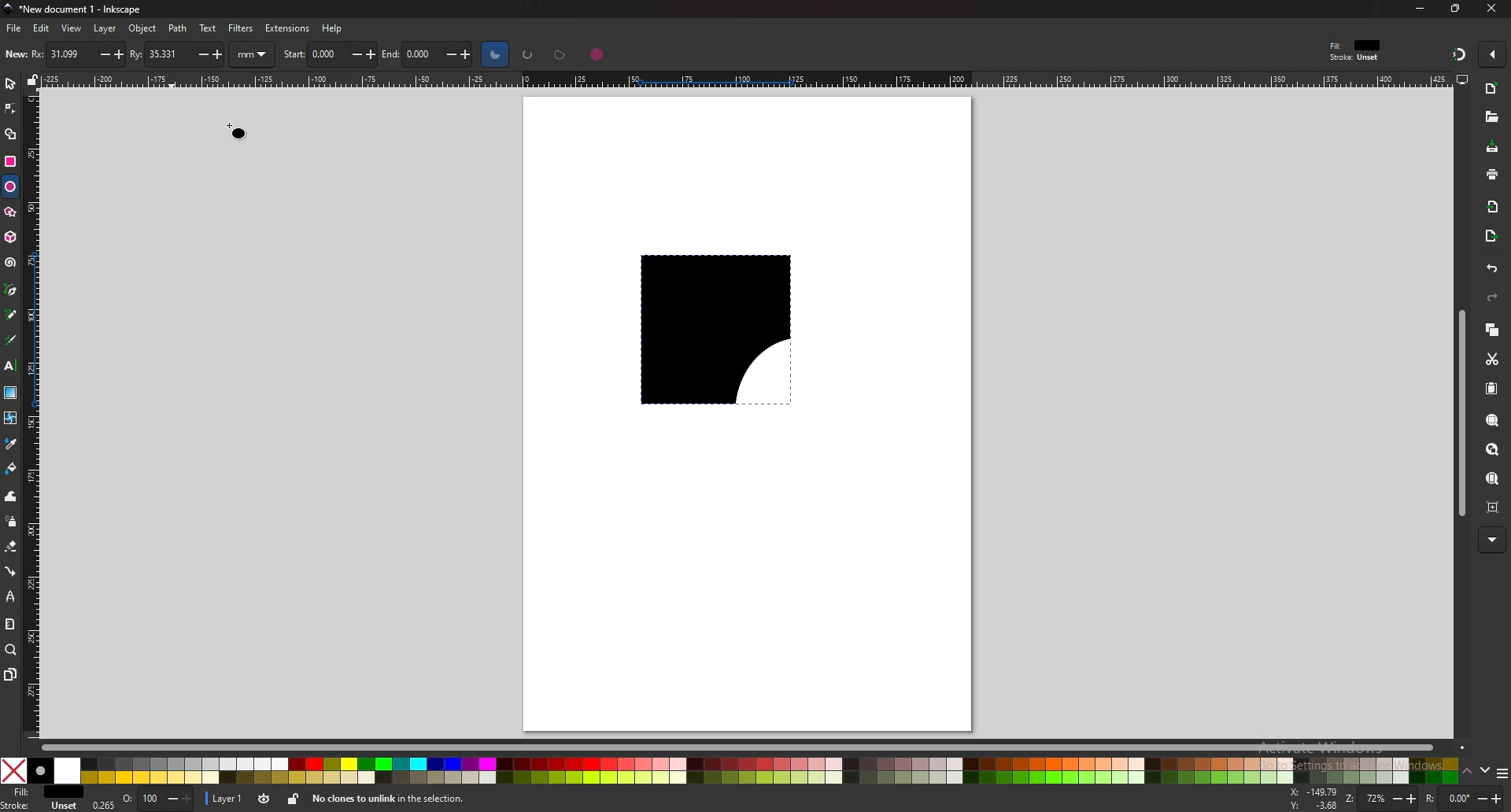  I want to click on more colors, so click(1502, 773).